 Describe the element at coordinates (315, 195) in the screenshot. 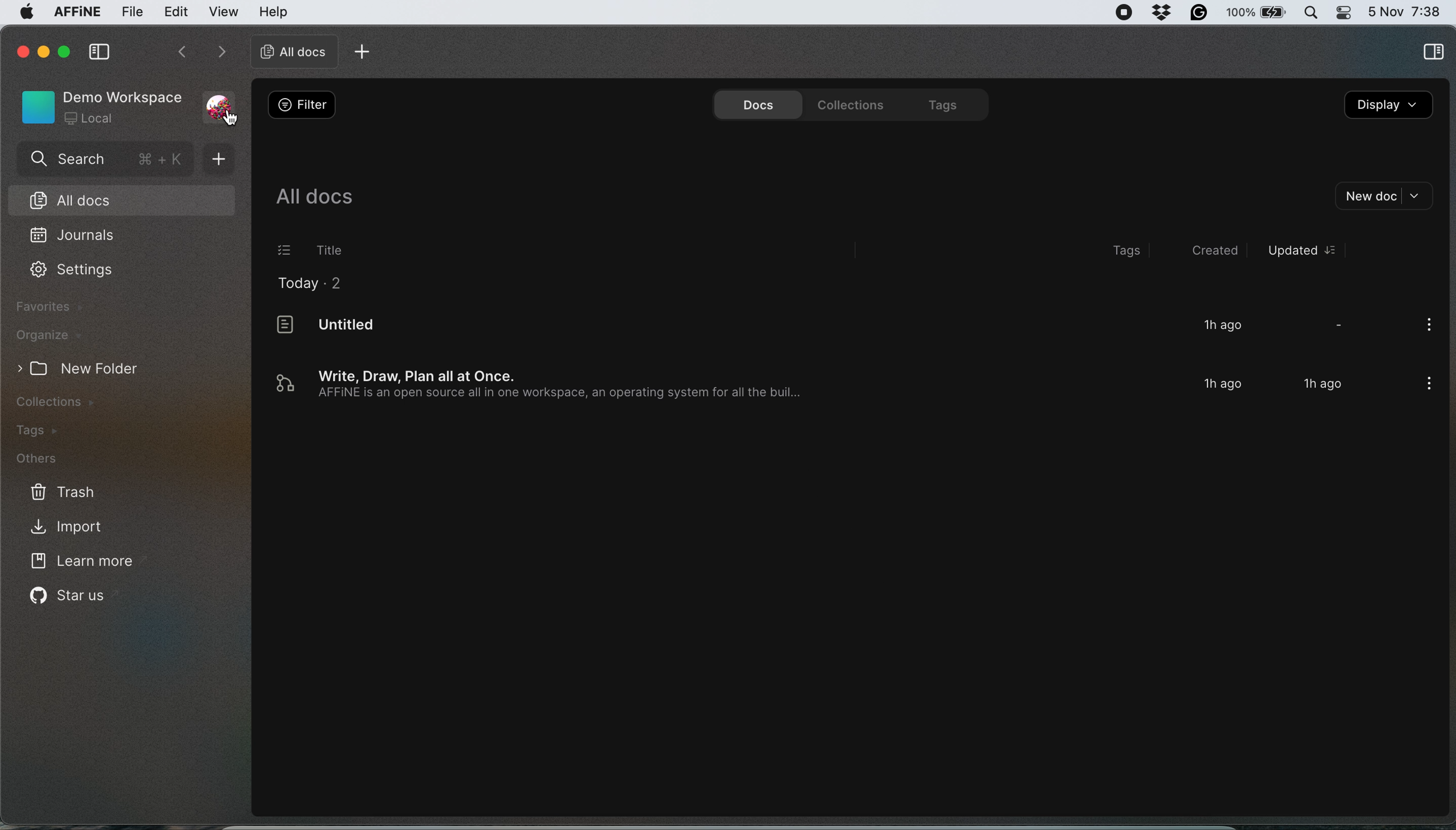

I see `all docs` at that location.